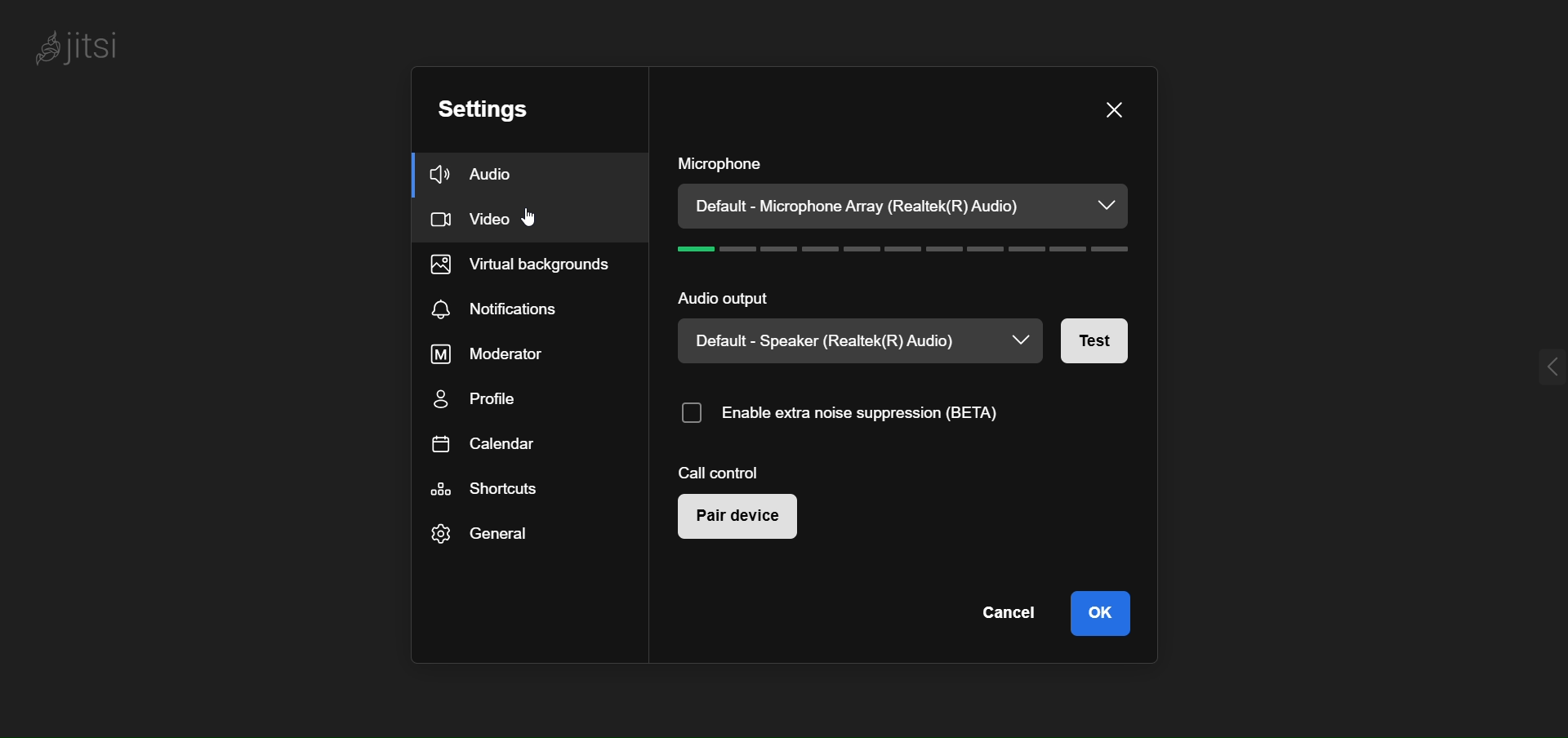 This screenshot has width=1568, height=738. I want to click on close dialog, so click(1116, 108).